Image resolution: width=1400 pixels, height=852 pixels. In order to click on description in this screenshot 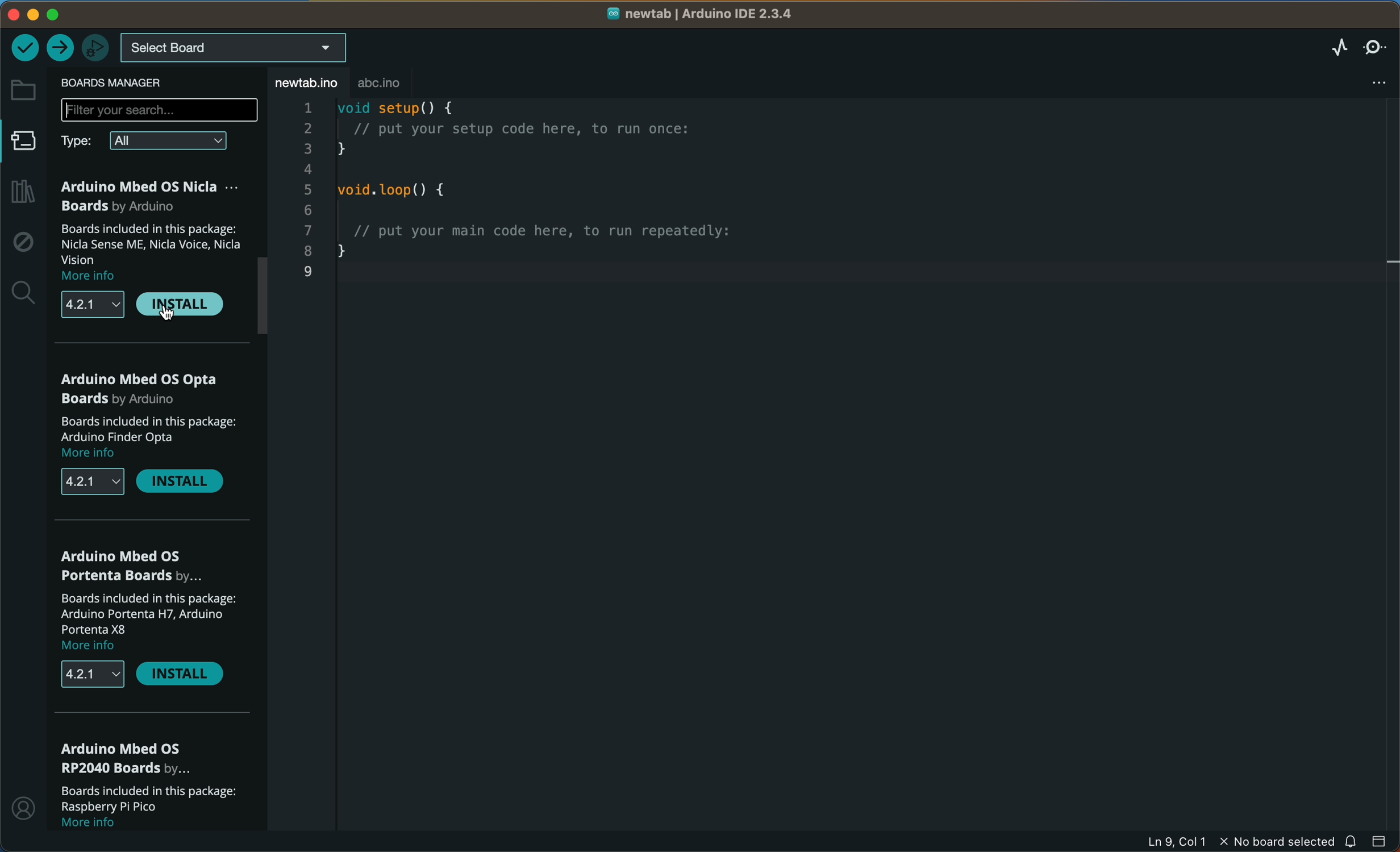, I will do `click(155, 613)`.